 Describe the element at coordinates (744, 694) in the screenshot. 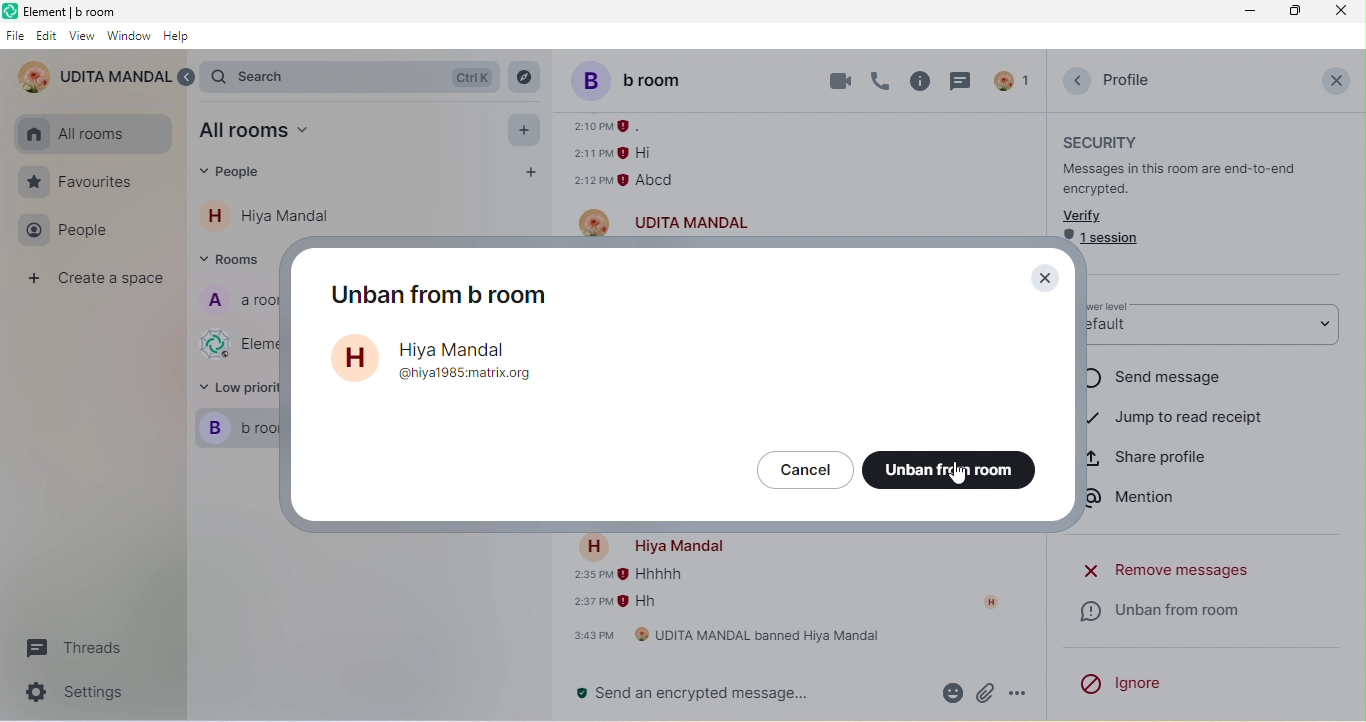

I see `send an encrypted message` at that location.